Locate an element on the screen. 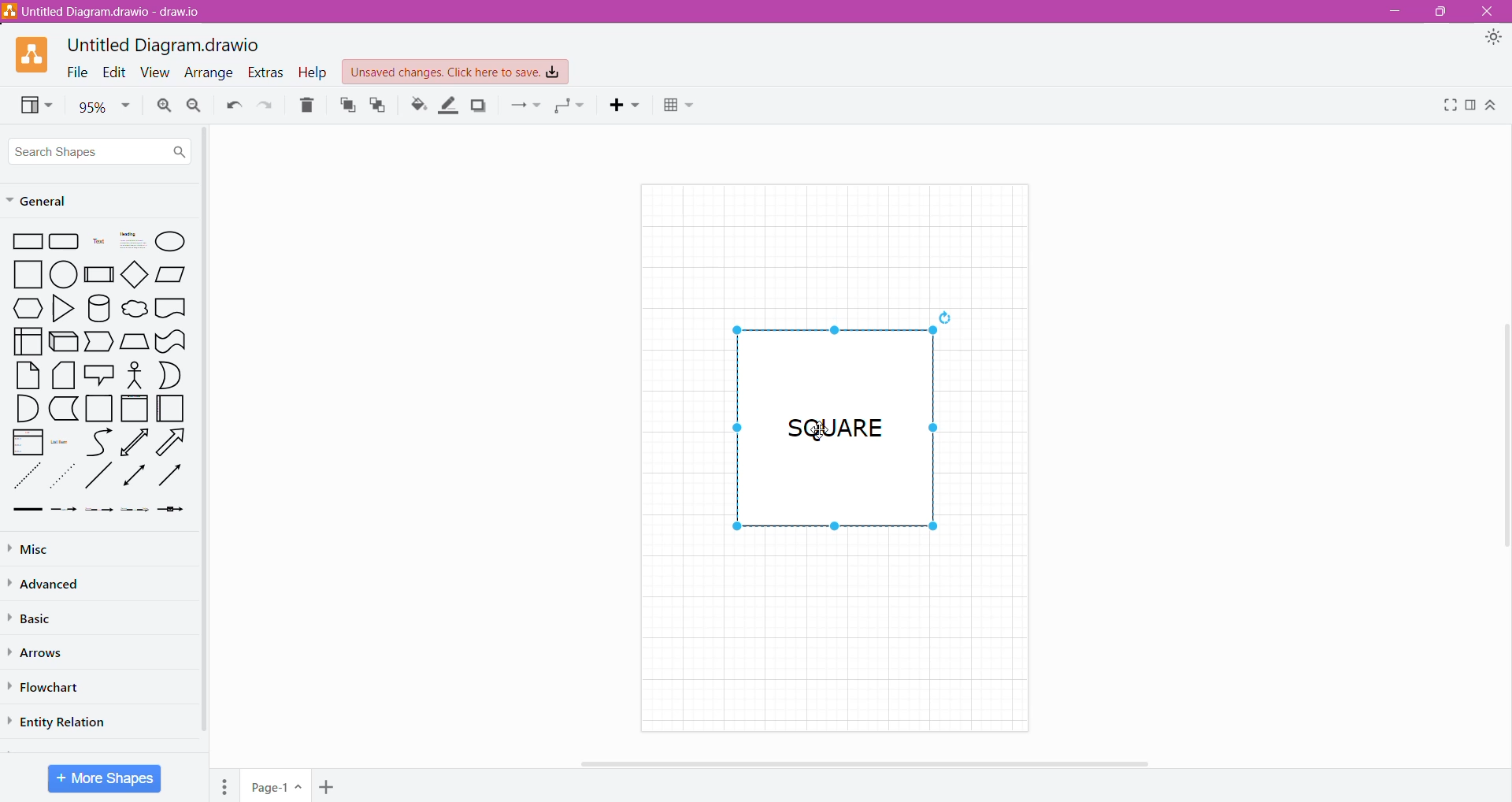  Help is located at coordinates (313, 73).